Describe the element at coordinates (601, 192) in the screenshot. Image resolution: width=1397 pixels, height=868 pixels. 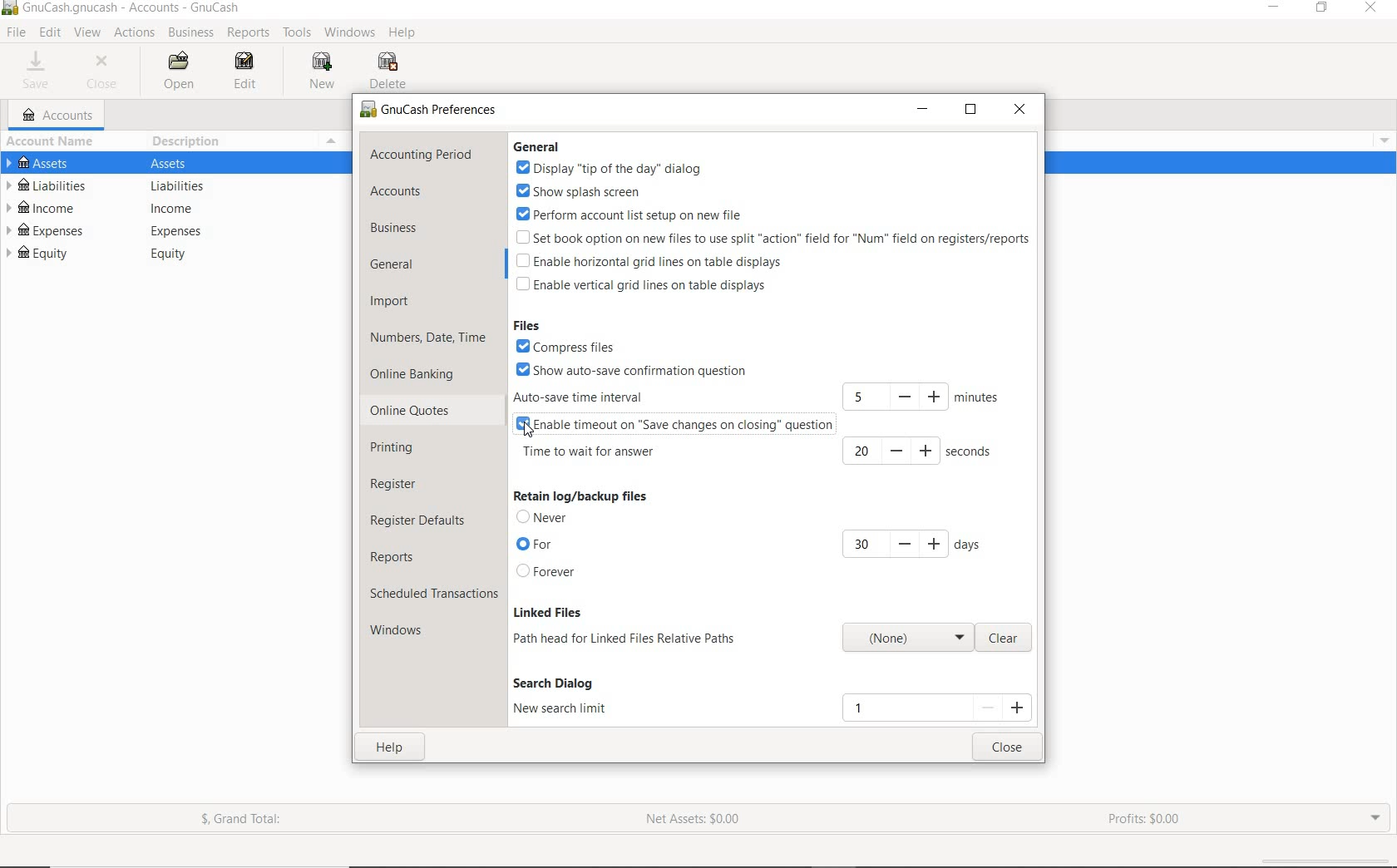
I see `show splash screen` at that location.